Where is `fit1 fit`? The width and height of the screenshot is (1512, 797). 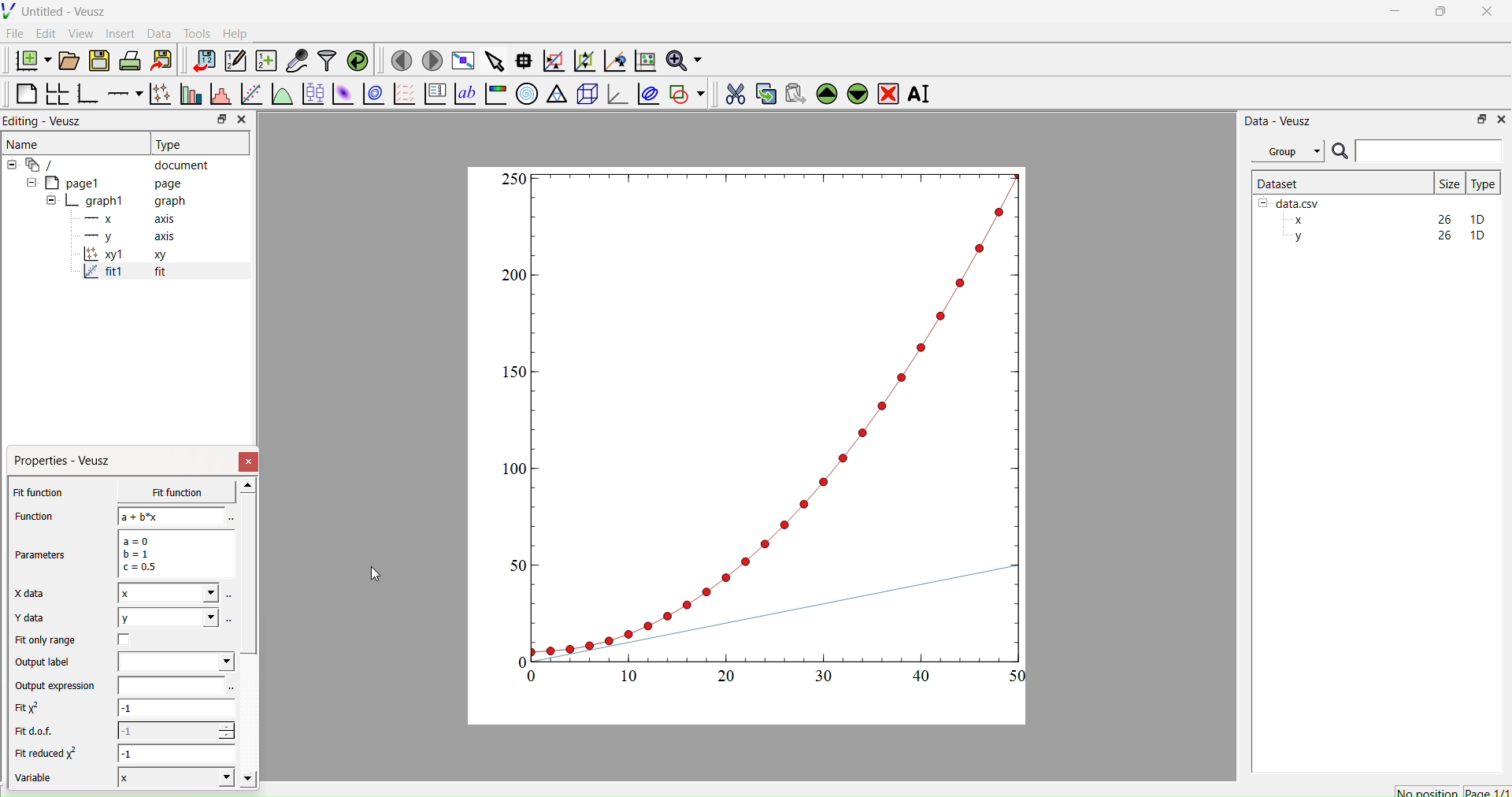
fit1 fit is located at coordinates (123, 275).